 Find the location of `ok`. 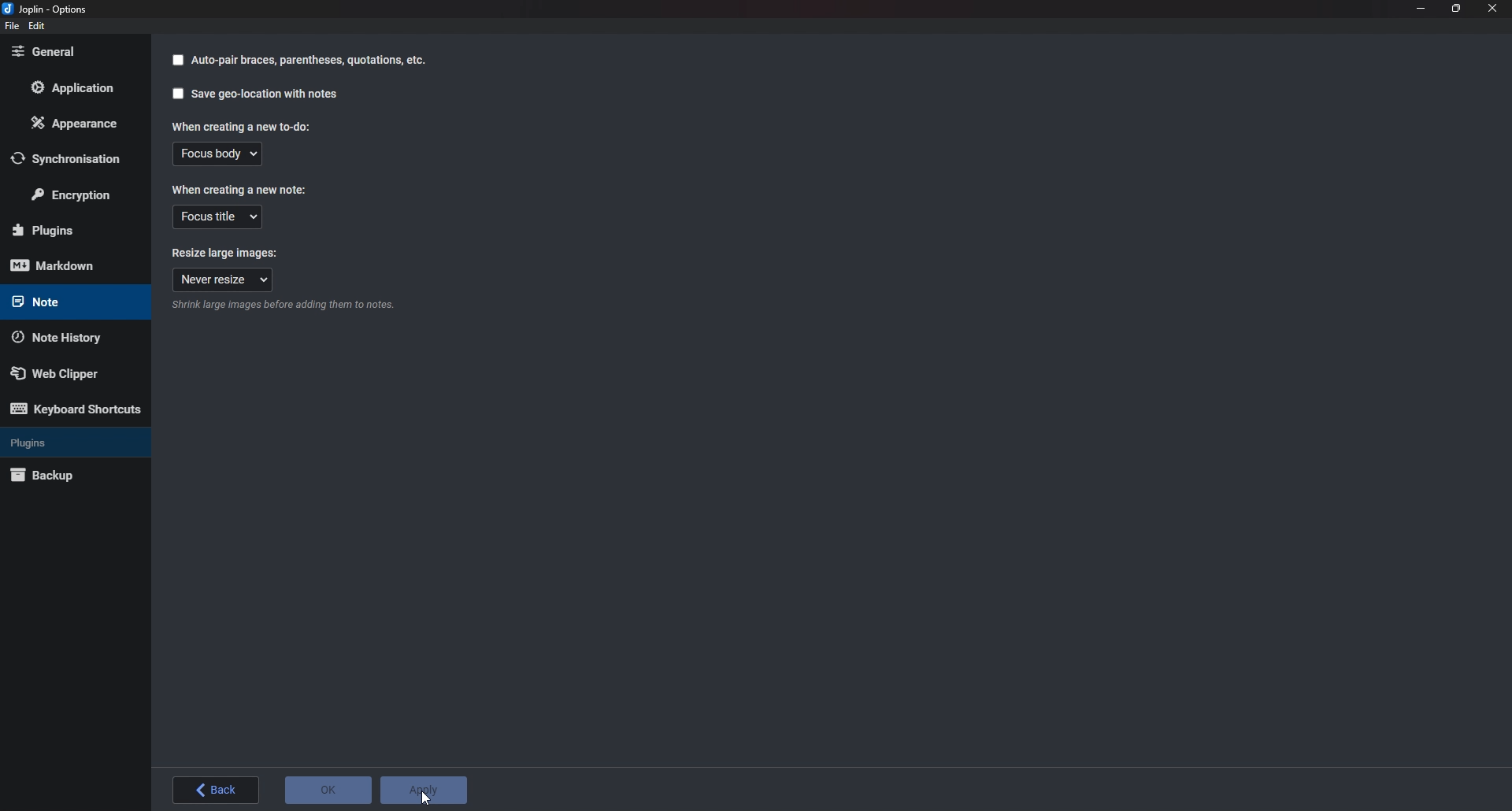

ok is located at coordinates (328, 793).